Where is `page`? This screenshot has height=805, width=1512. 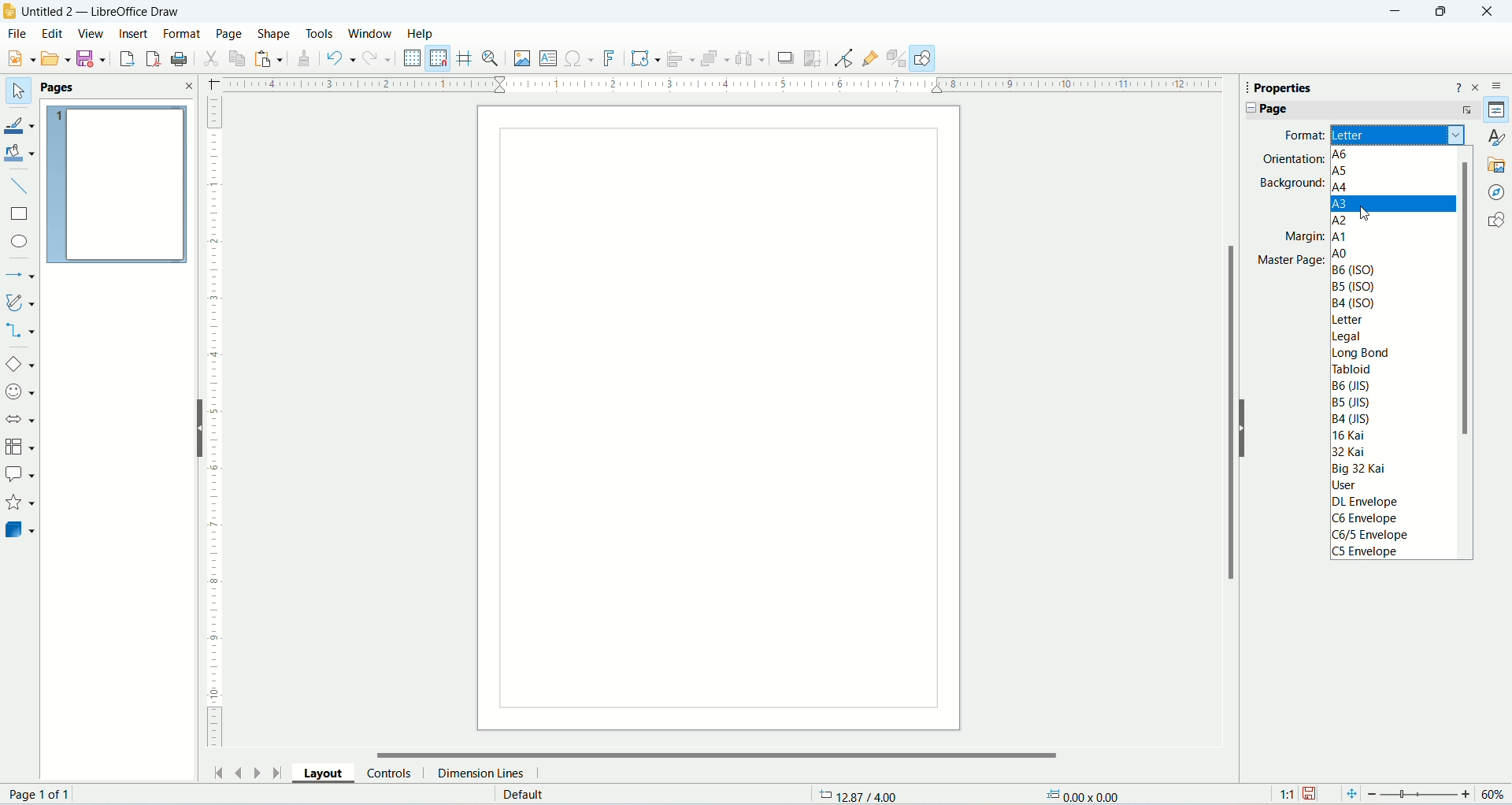
page is located at coordinates (720, 421).